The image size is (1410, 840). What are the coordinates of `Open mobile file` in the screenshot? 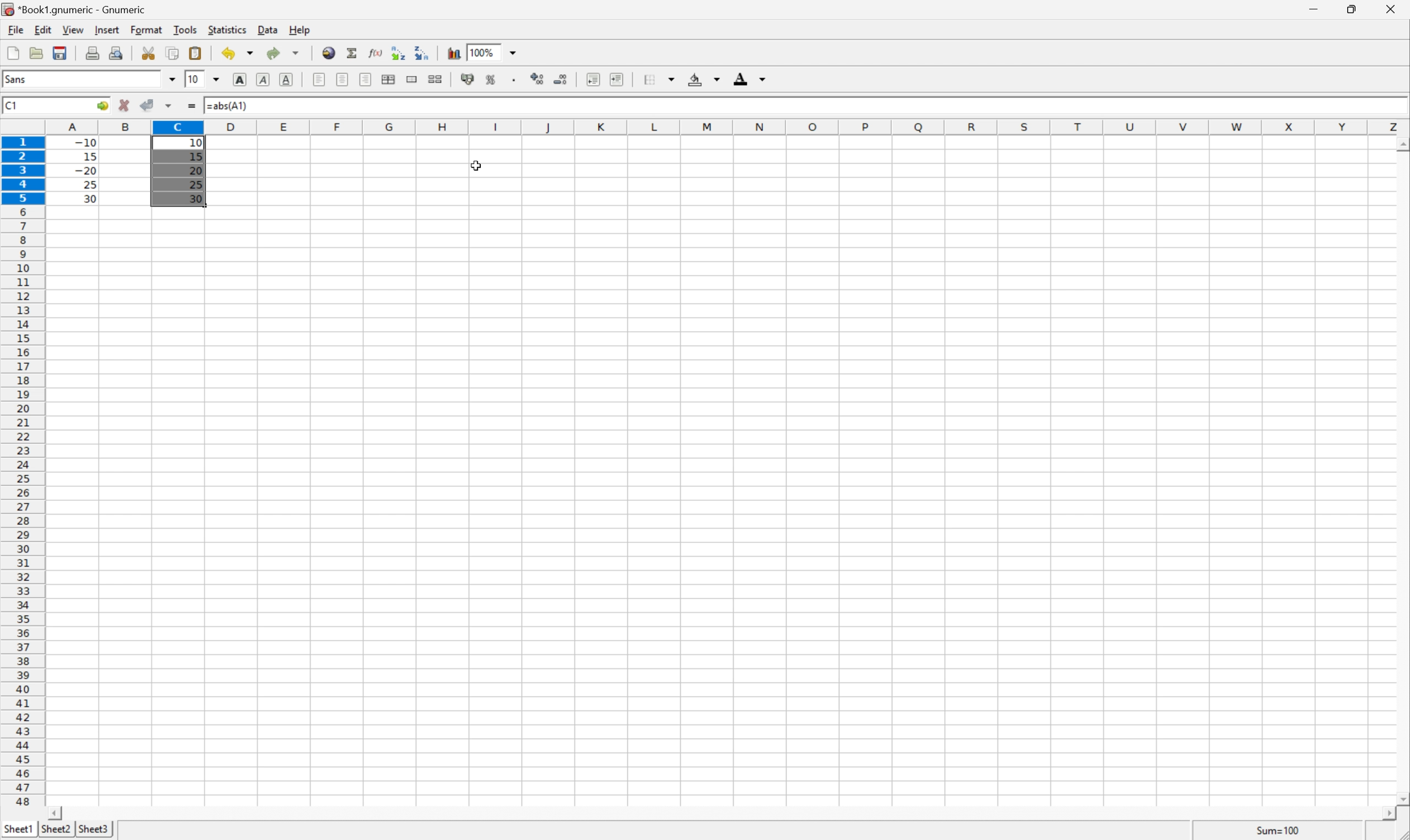 It's located at (58, 53).